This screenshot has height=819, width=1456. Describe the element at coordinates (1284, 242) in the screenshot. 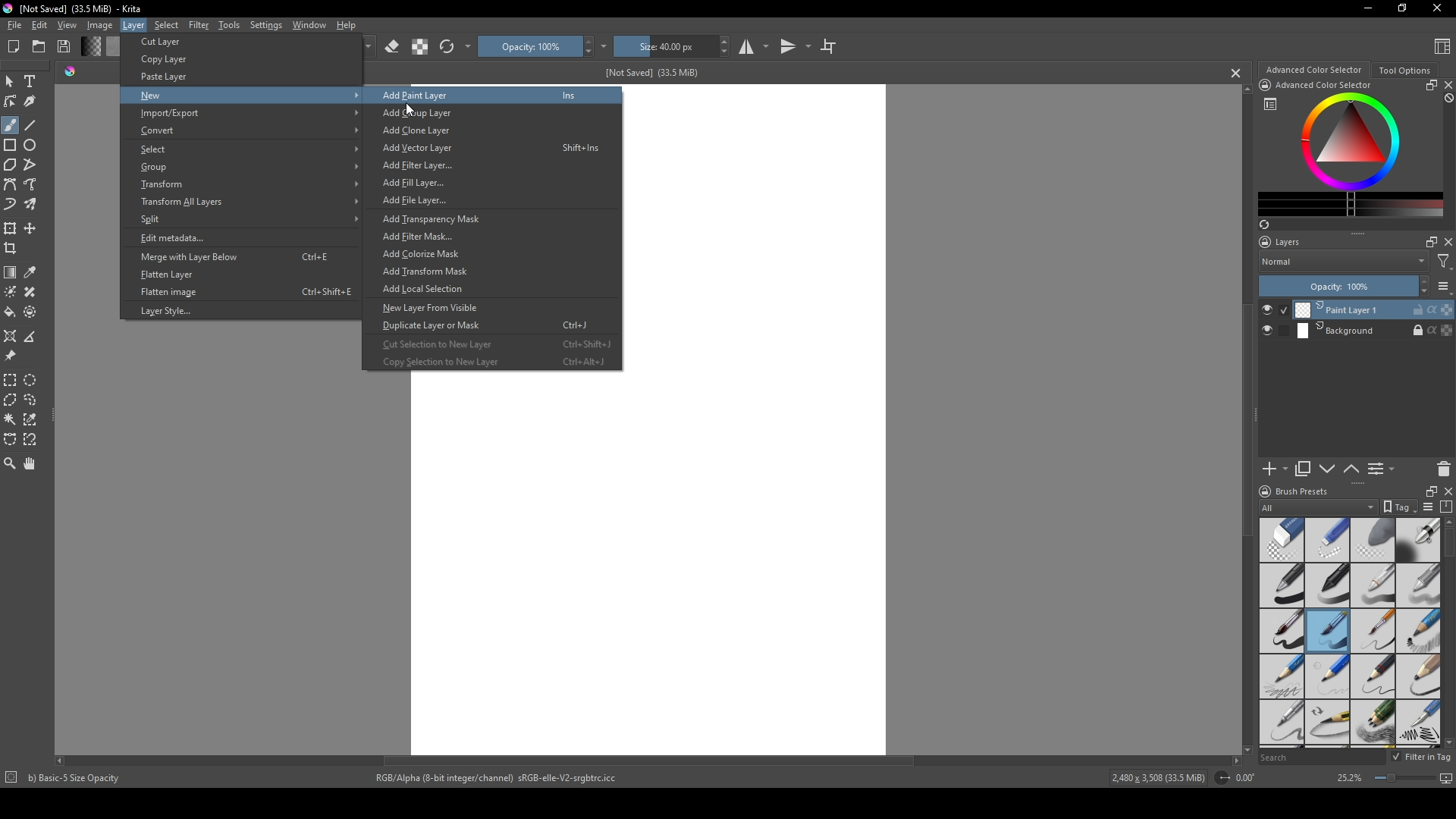

I see `Layers` at that location.